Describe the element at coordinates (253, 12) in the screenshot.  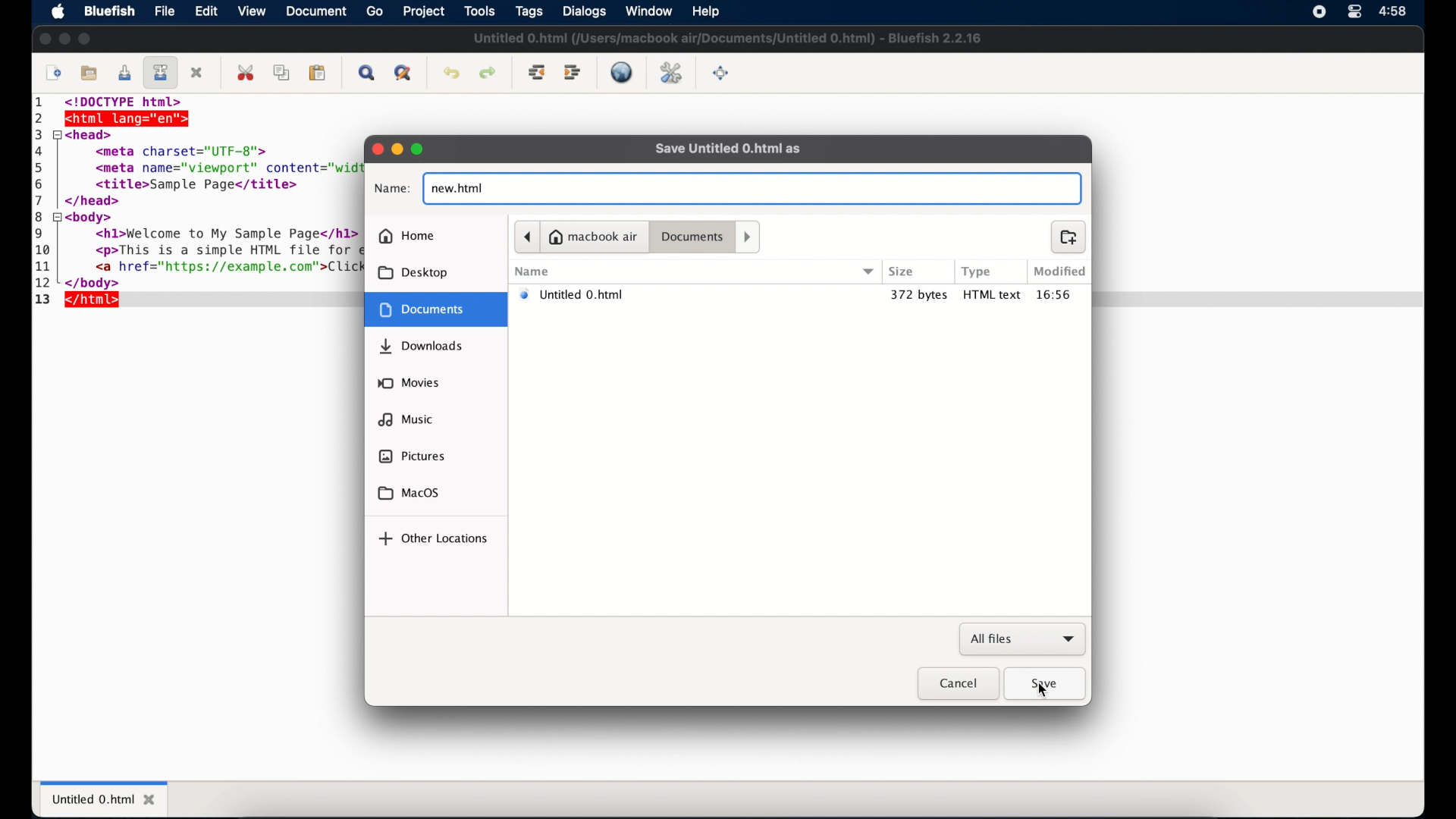
I see `view` at that location.